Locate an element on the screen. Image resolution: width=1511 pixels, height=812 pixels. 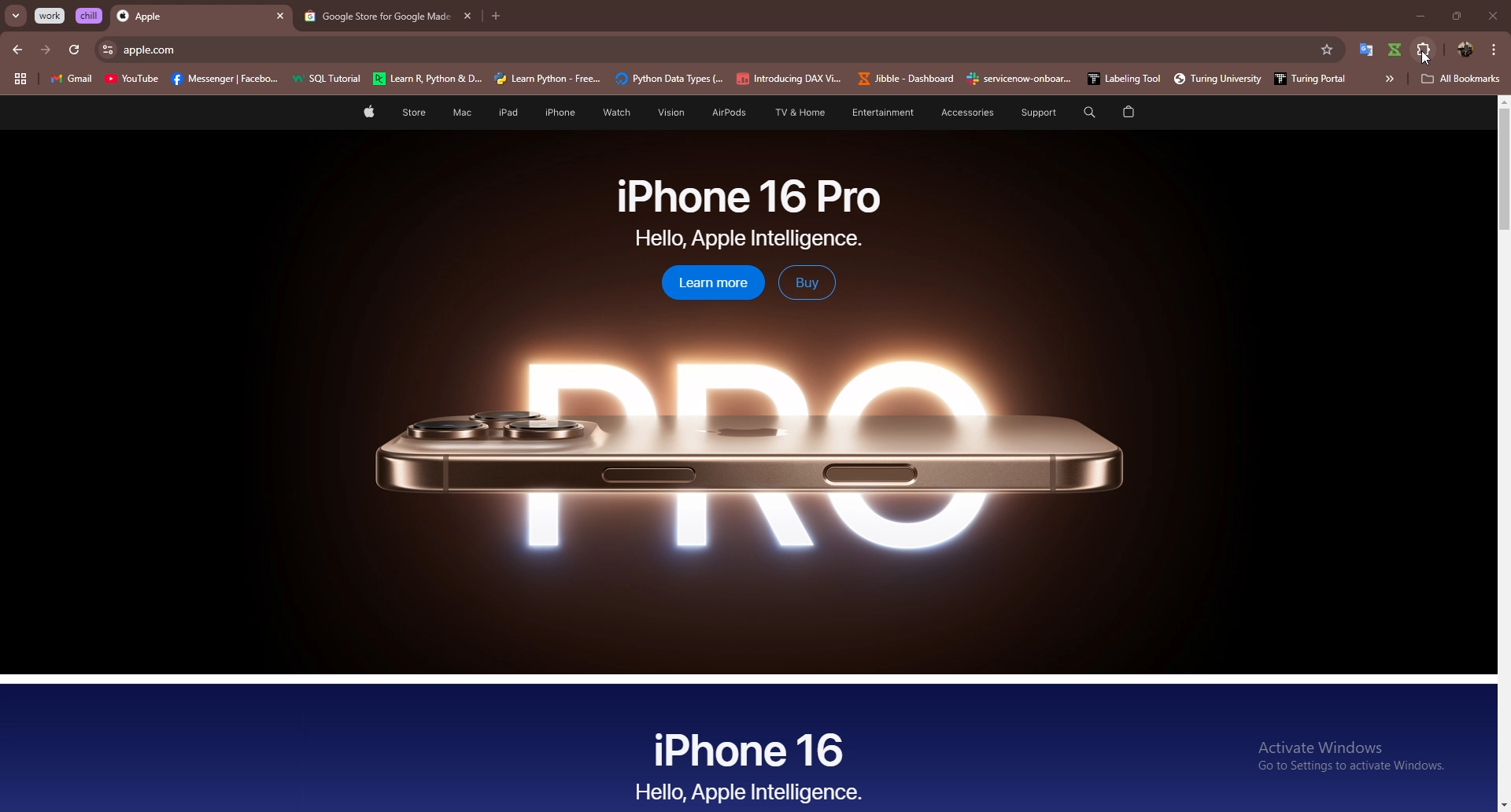
Support is located at coordinates (1032, 113).